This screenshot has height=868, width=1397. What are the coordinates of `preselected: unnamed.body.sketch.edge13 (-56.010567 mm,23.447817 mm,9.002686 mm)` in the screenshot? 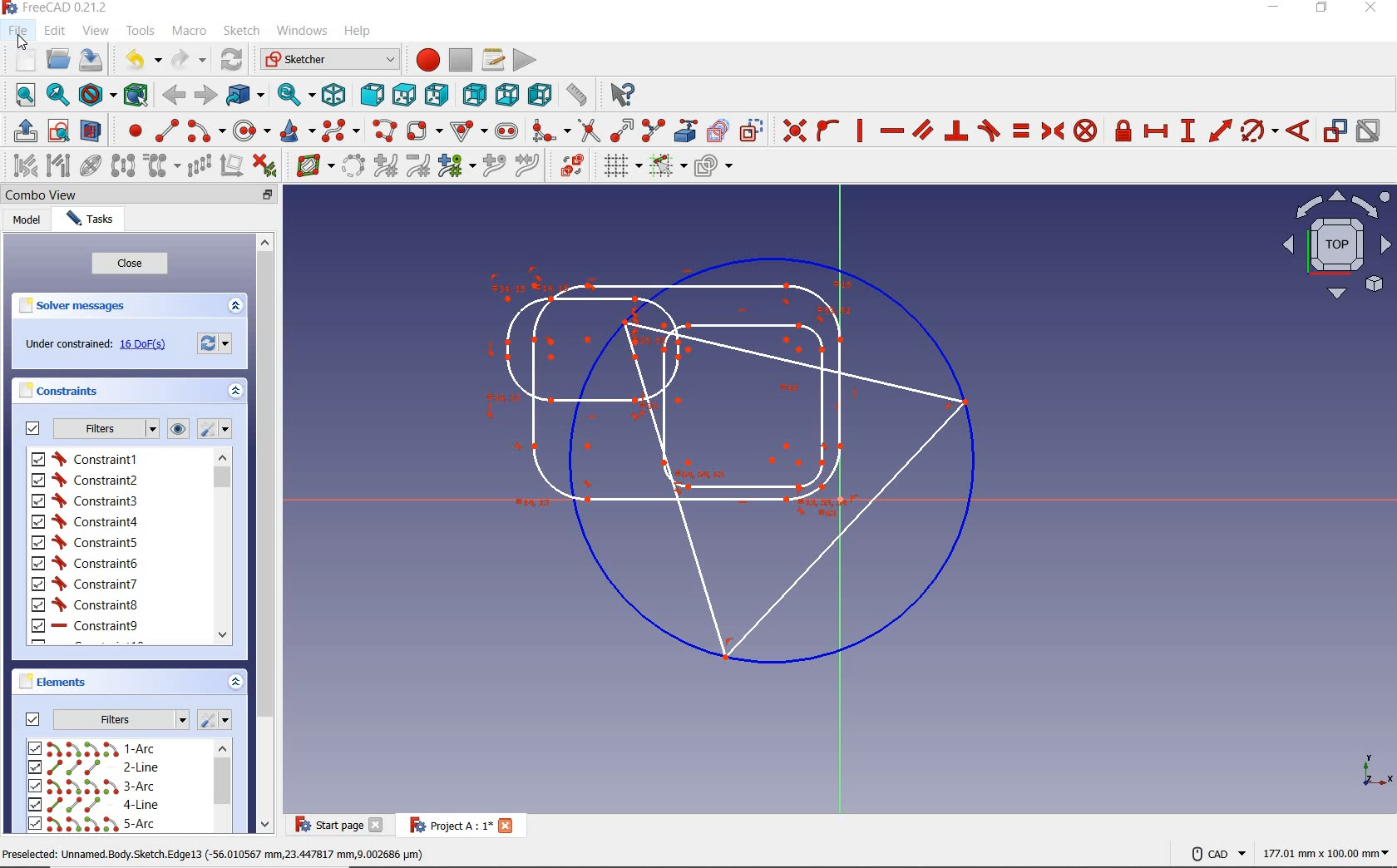 It's located at (216, 856).